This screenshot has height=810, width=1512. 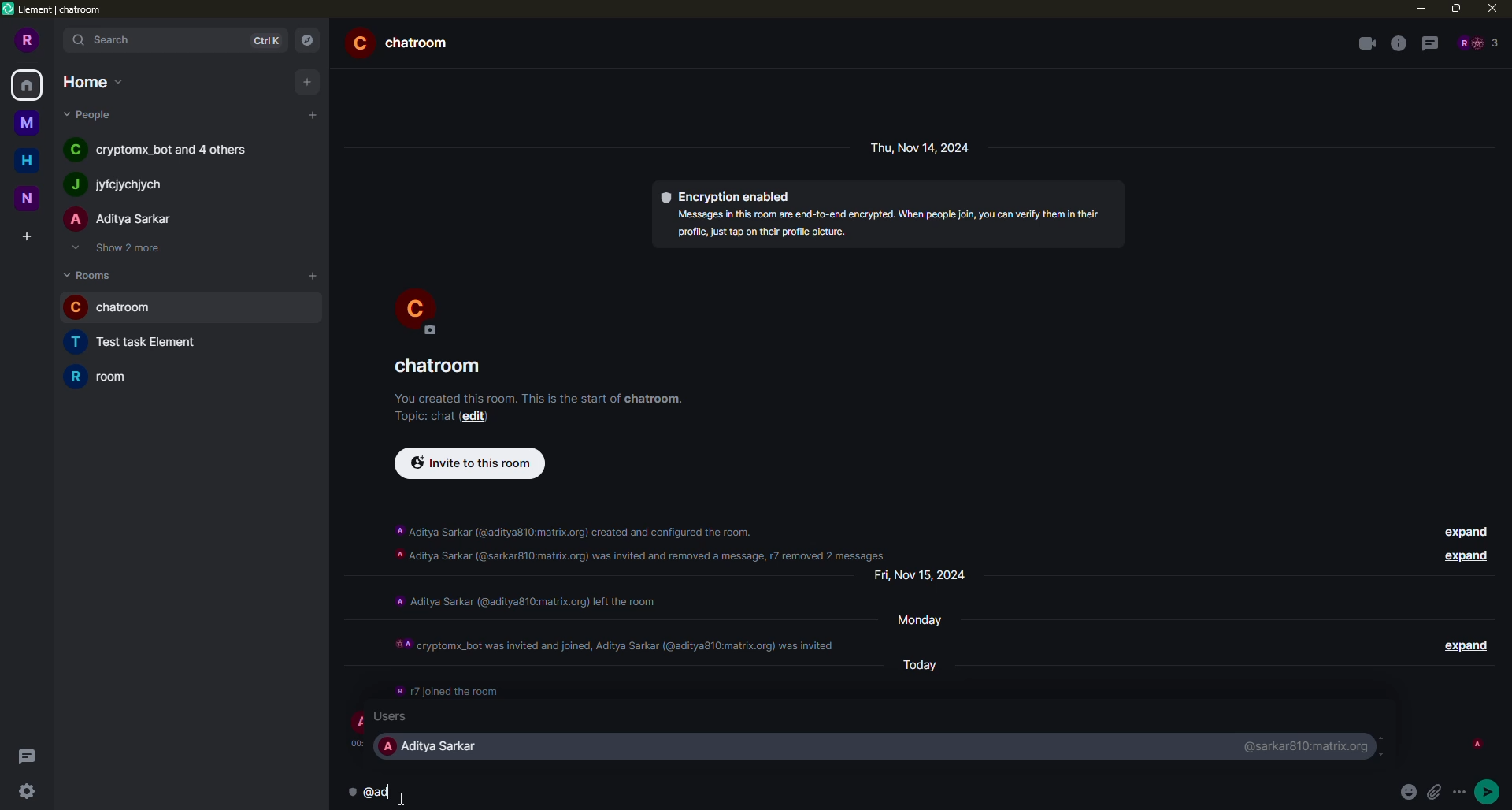 What do you see at coordinates (435, 747) in the screenshot?
I see `user` at bounding box center [435, 747].